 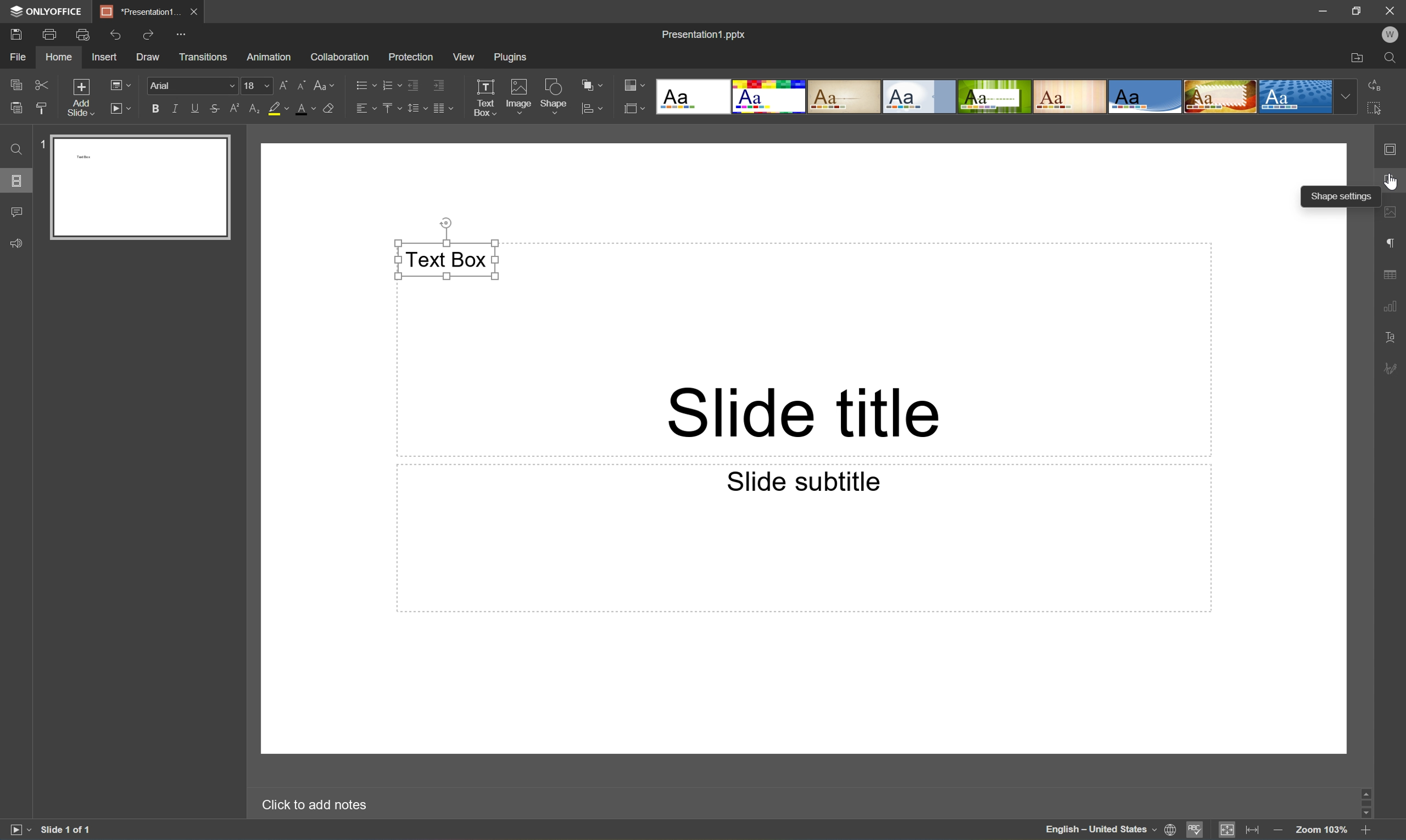 I want to click on File, so click(x=21, y=56).